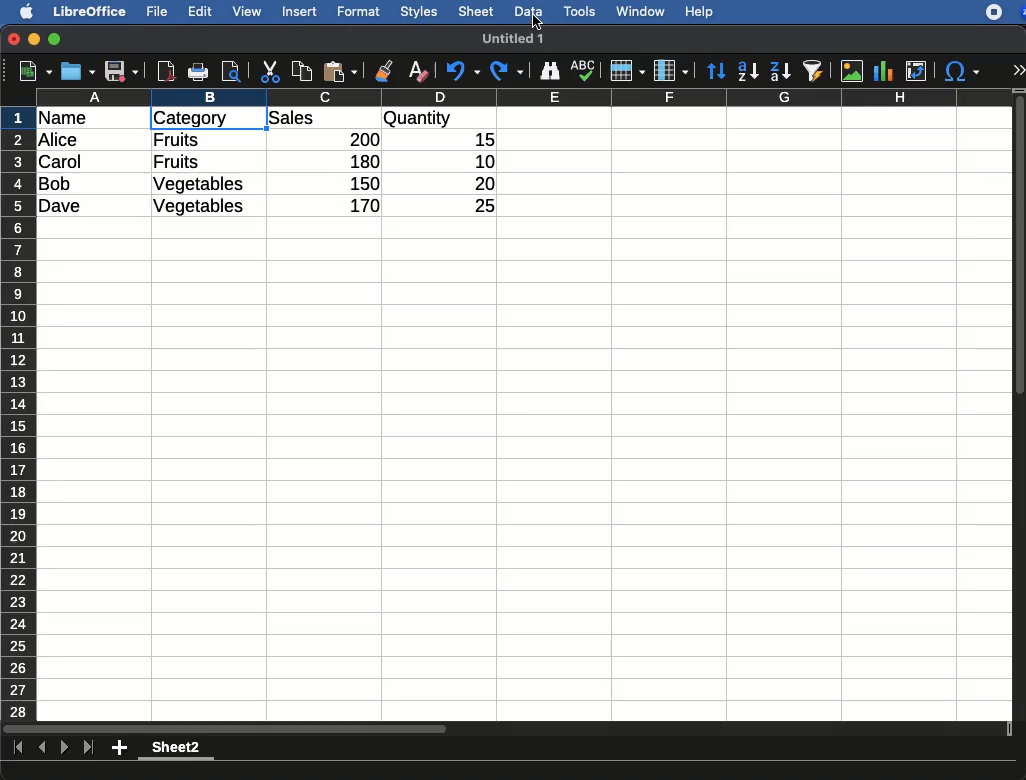 This screenshot has width=1026, height=780. What do you see at coordinates (884, 71) in the screenshot?
I see `chart` at bounding box center [884, 71].